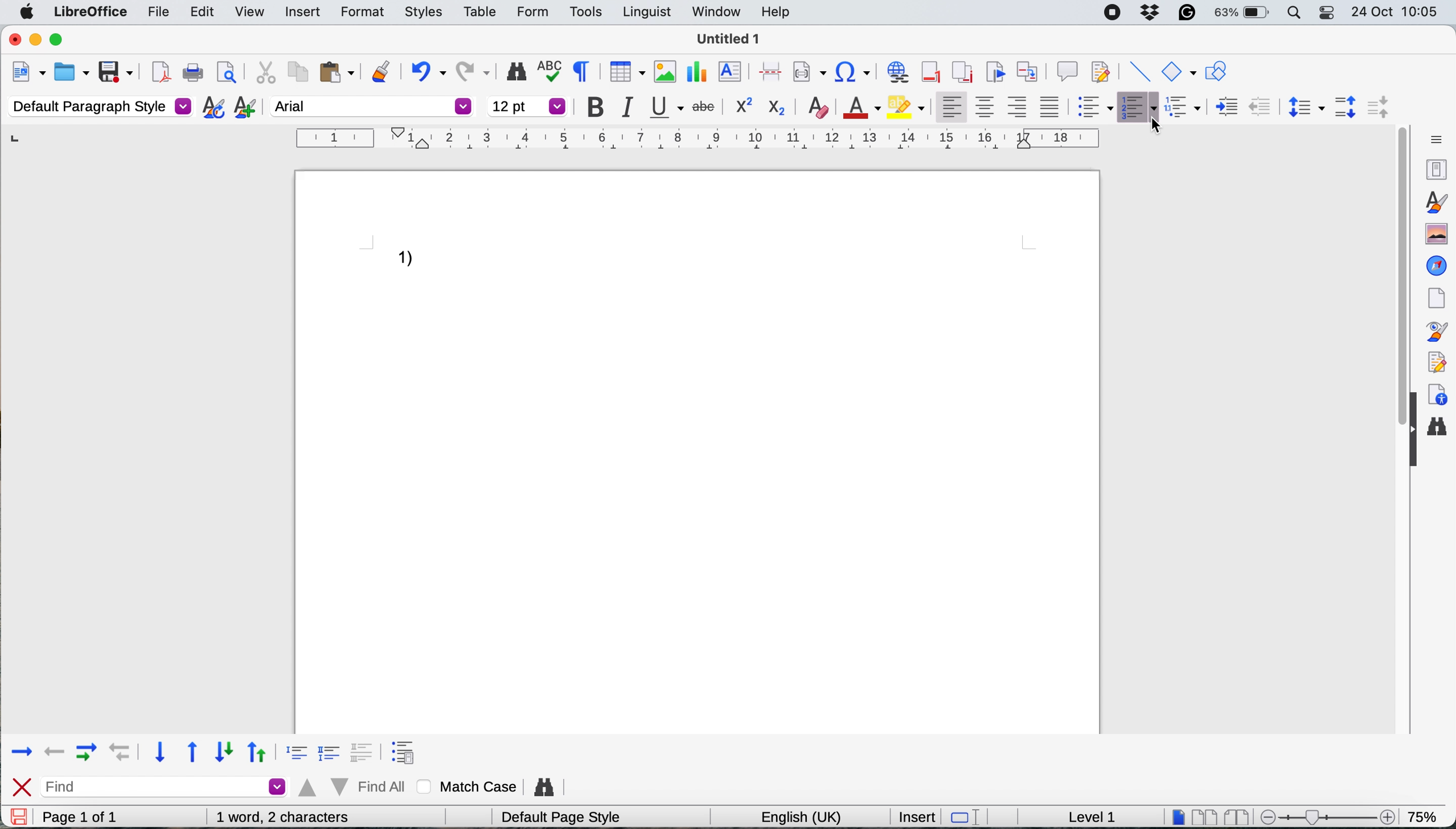  I want to click on insert text, so click(732, 72).